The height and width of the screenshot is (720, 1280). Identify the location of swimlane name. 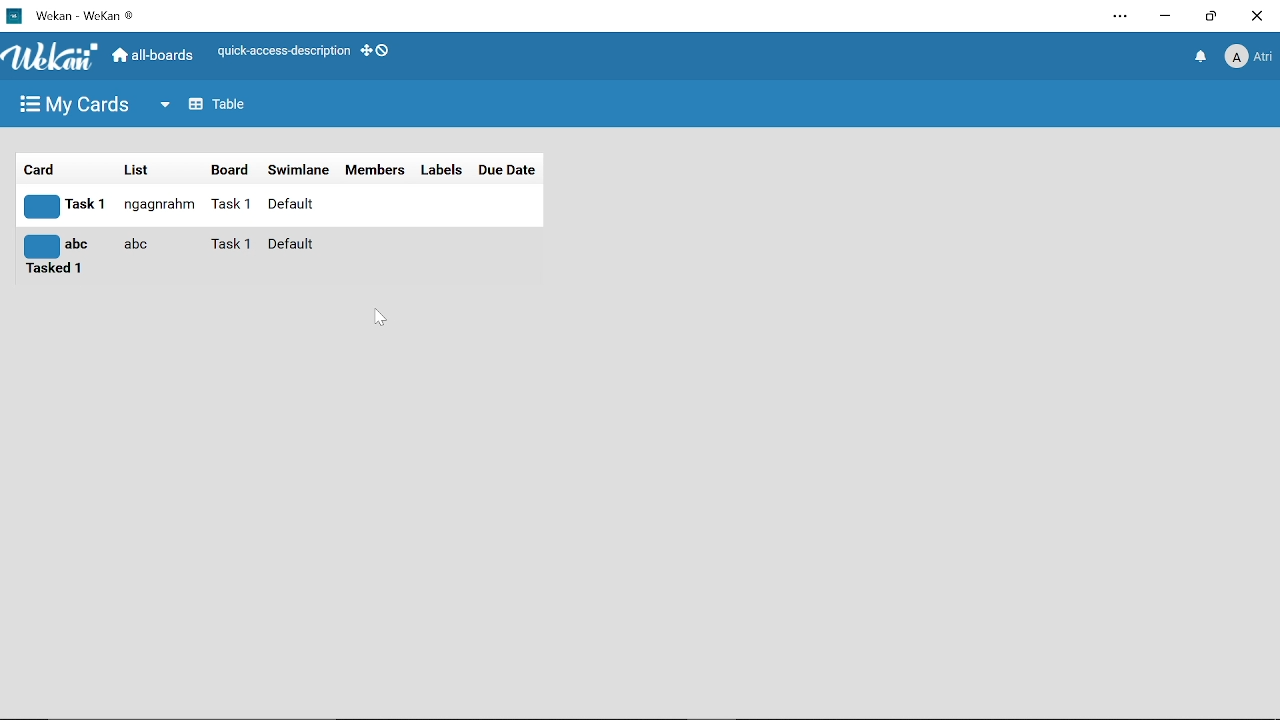
(294, 205).